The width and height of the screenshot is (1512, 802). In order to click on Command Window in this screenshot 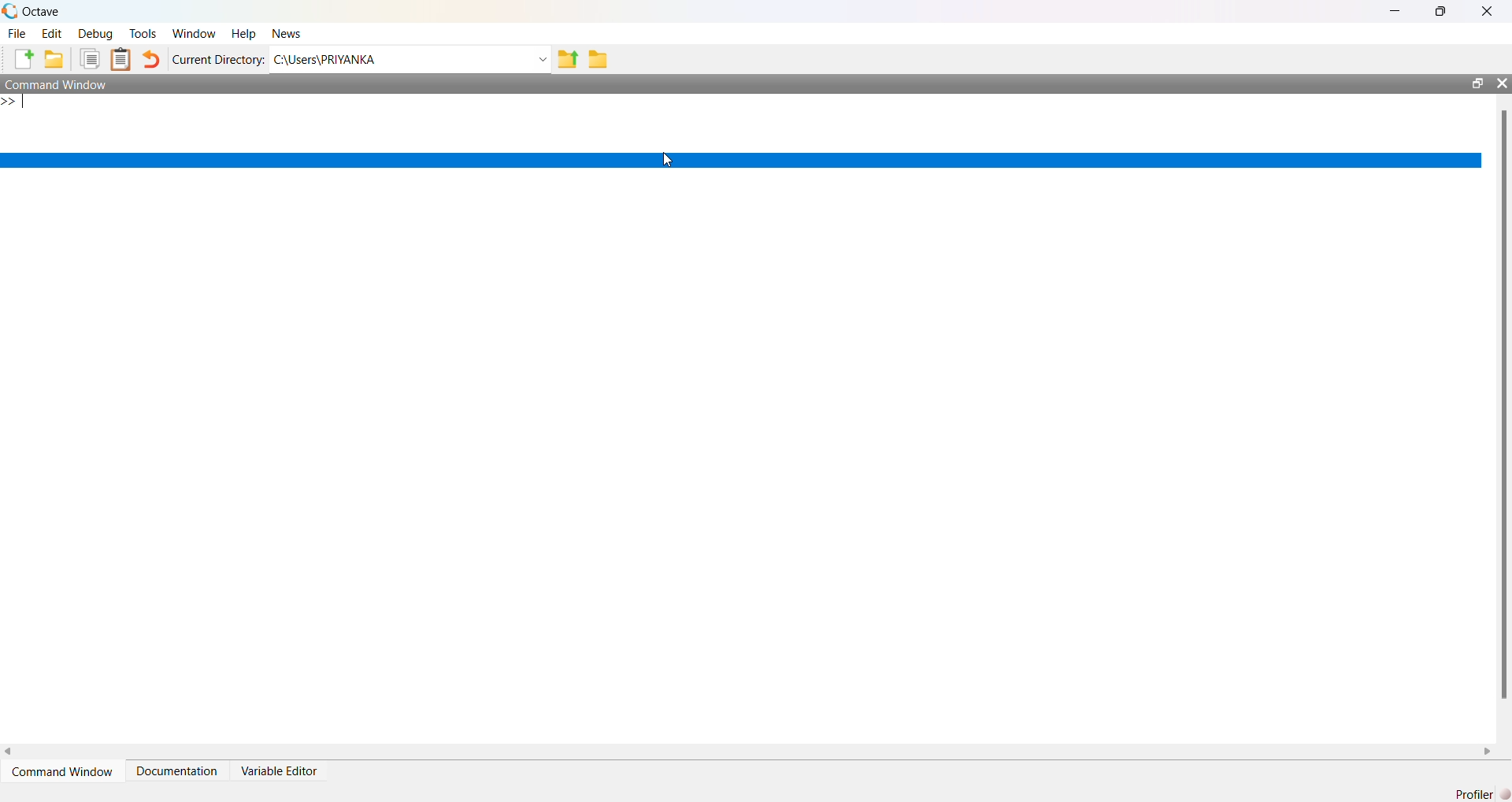, I will do `click(57, 84)`.